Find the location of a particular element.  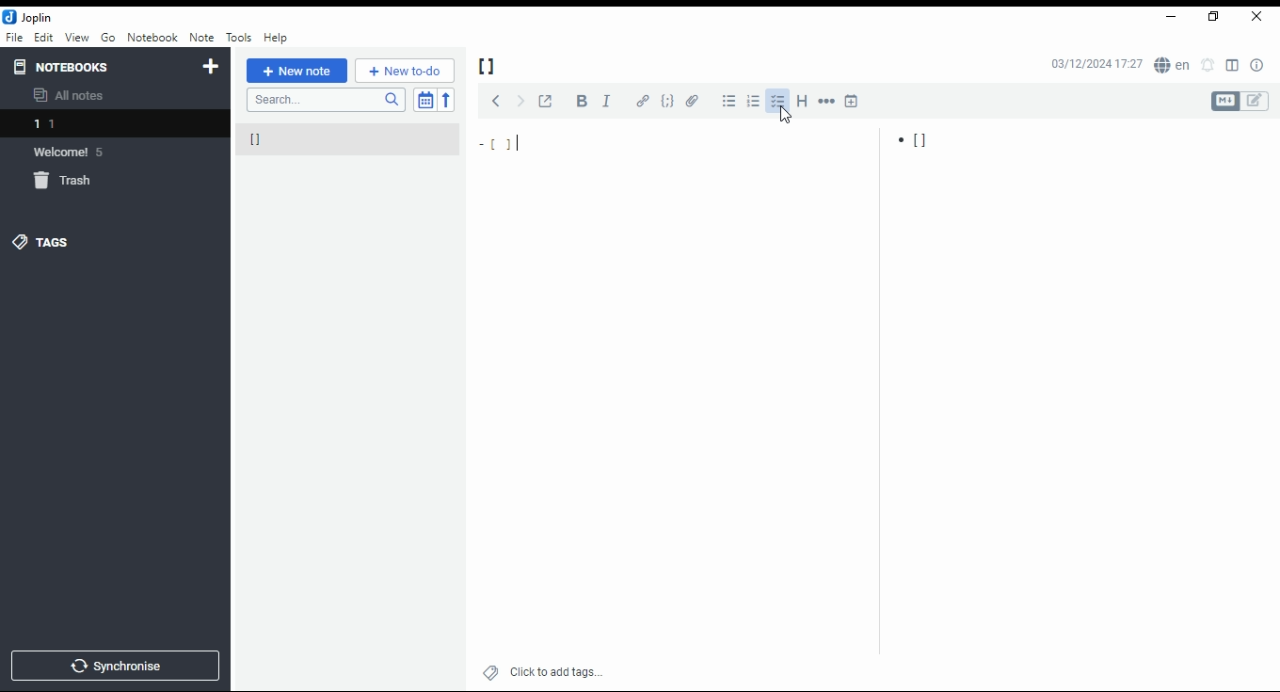

[] is located at coordinates (488, 66).